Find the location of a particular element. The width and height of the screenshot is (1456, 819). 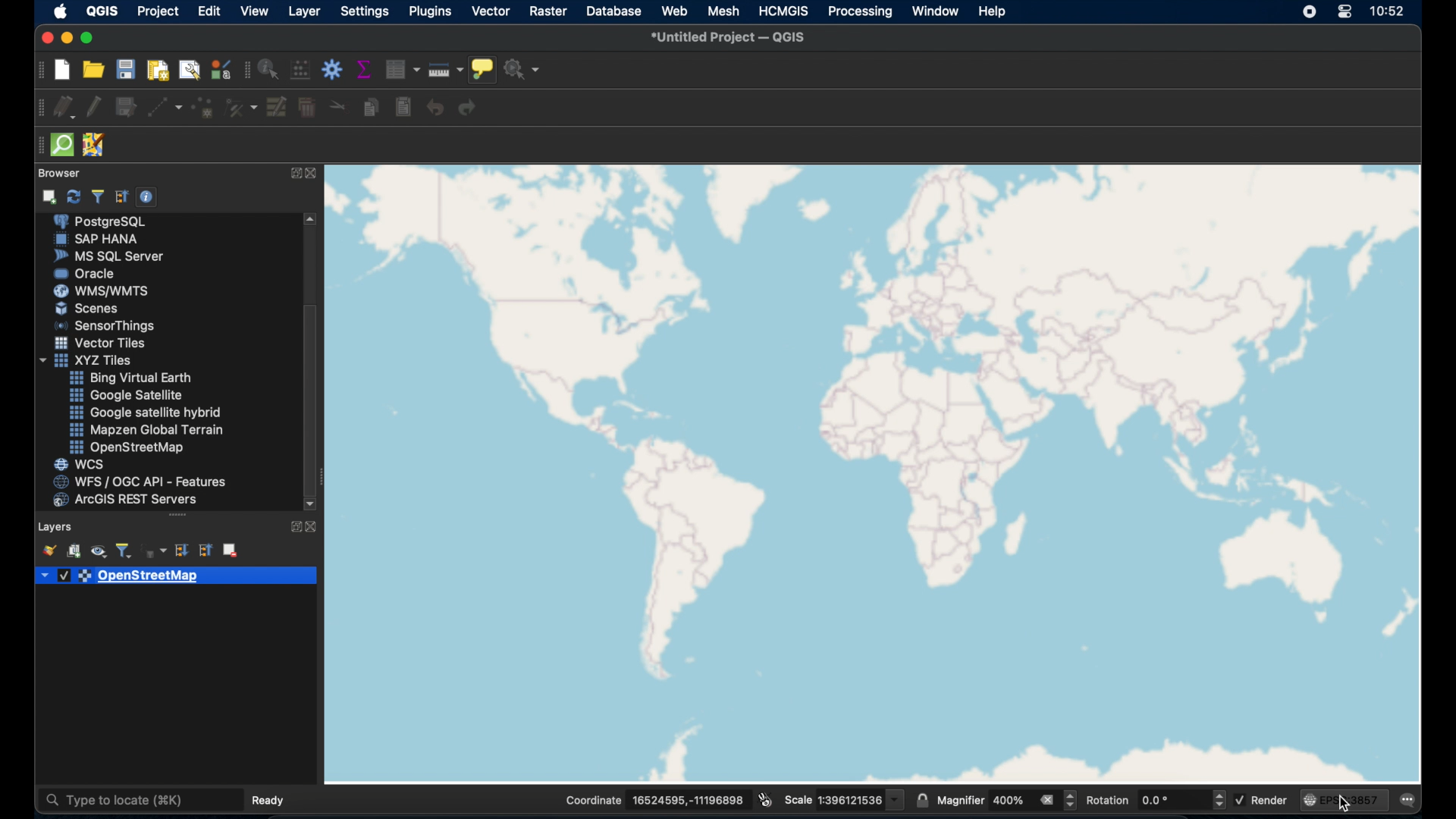

collapse all is located at coordinates (206, 551).